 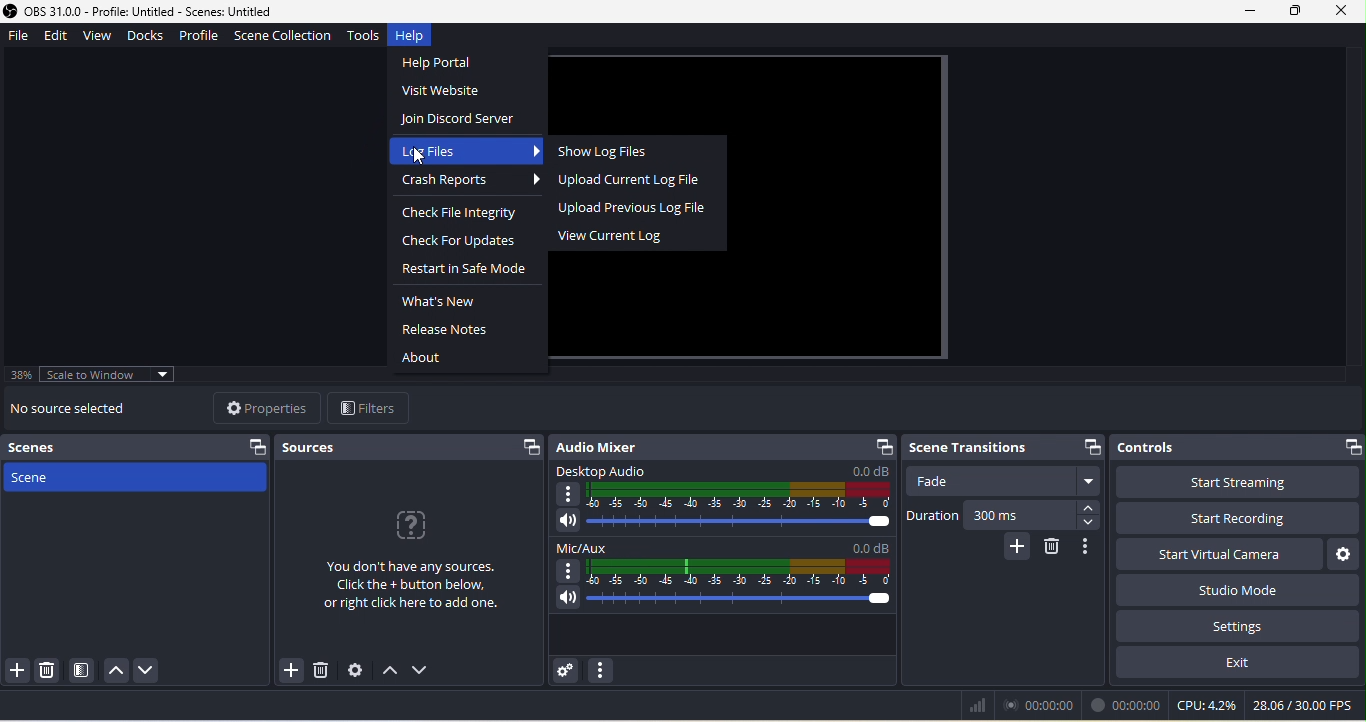 I want to click on down, so click(x=425, y=672).